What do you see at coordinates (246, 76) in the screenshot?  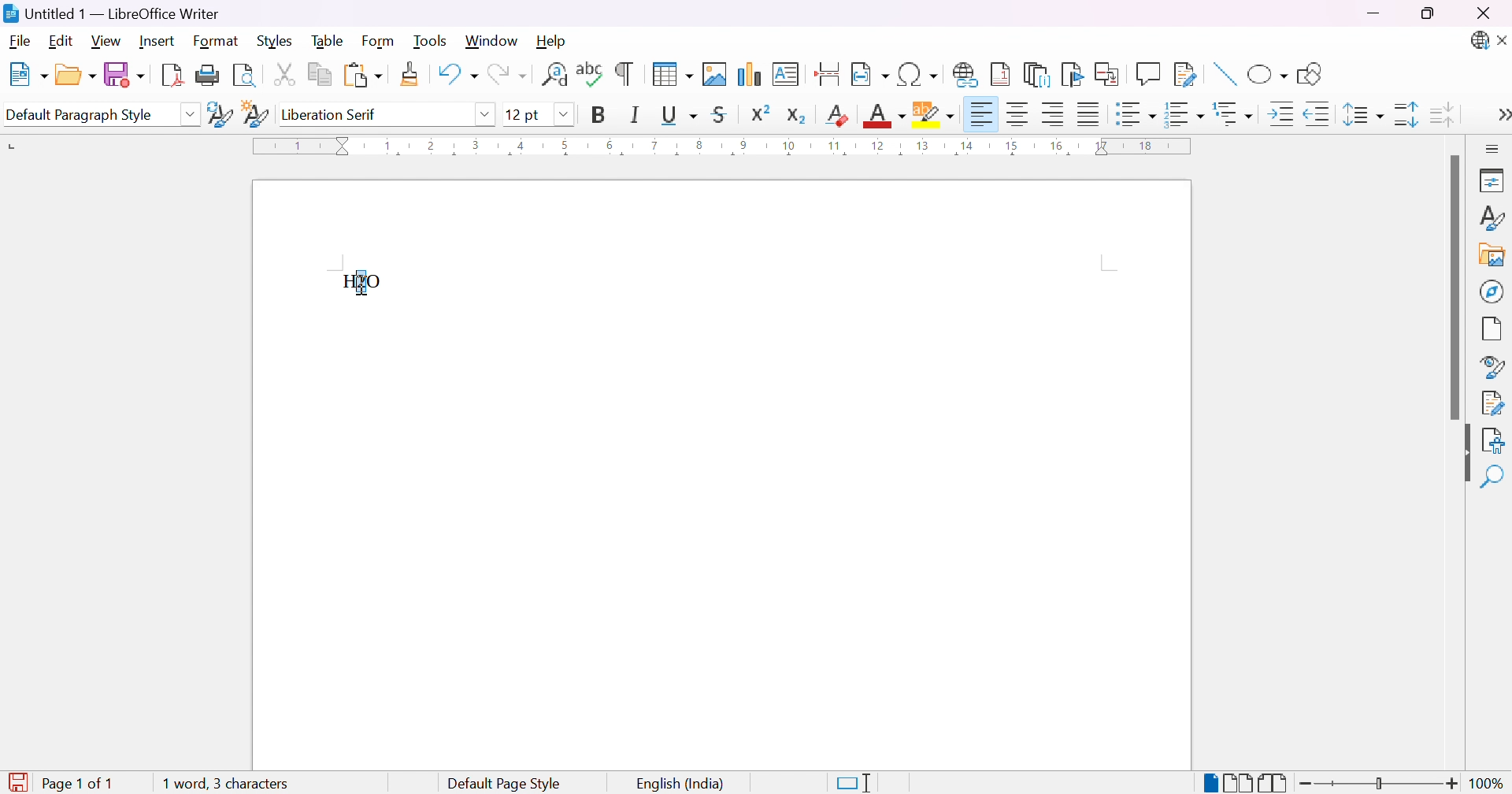 I see `Toggle print preview` at bounding box center [246, 76].